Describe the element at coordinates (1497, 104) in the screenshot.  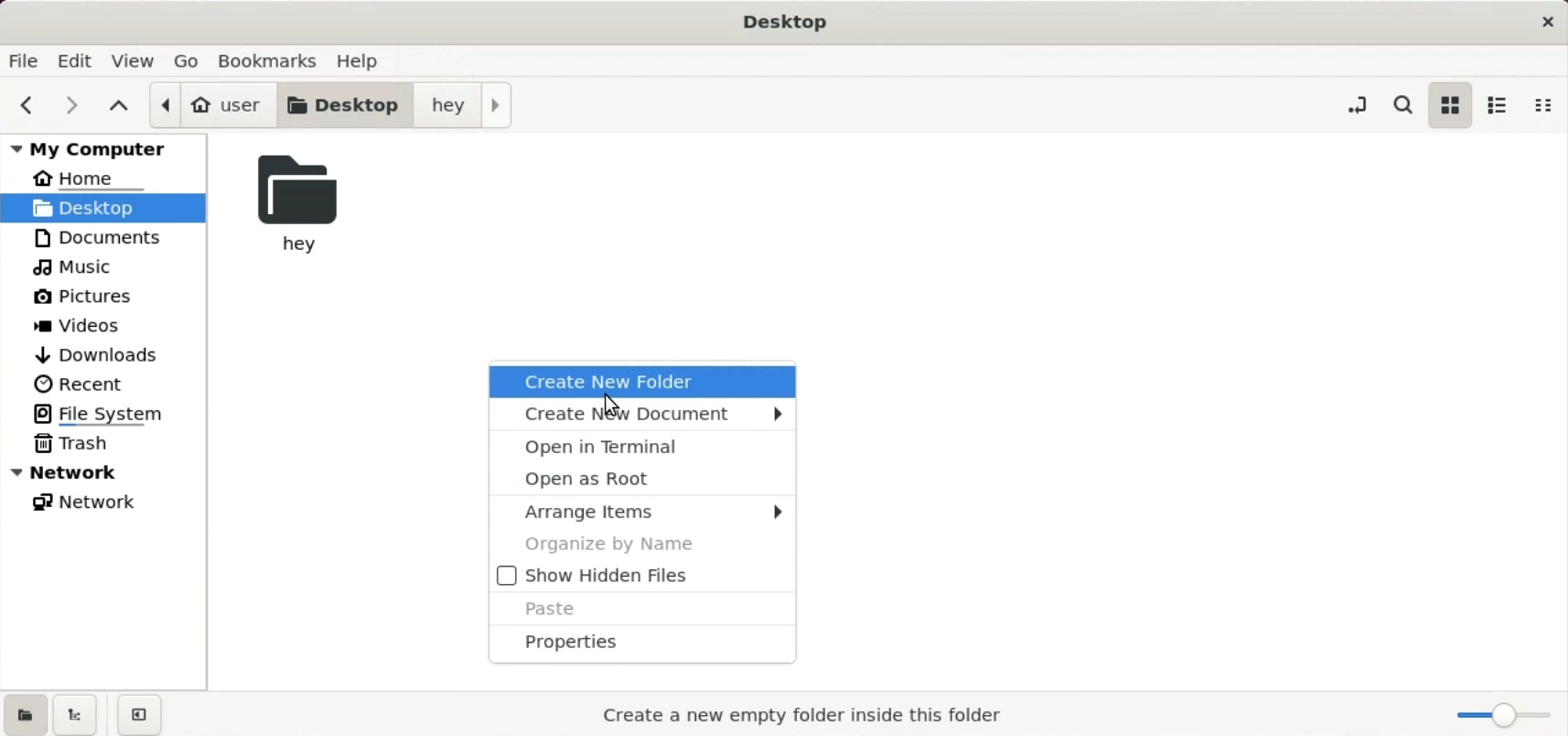
I see `list view` at that location.